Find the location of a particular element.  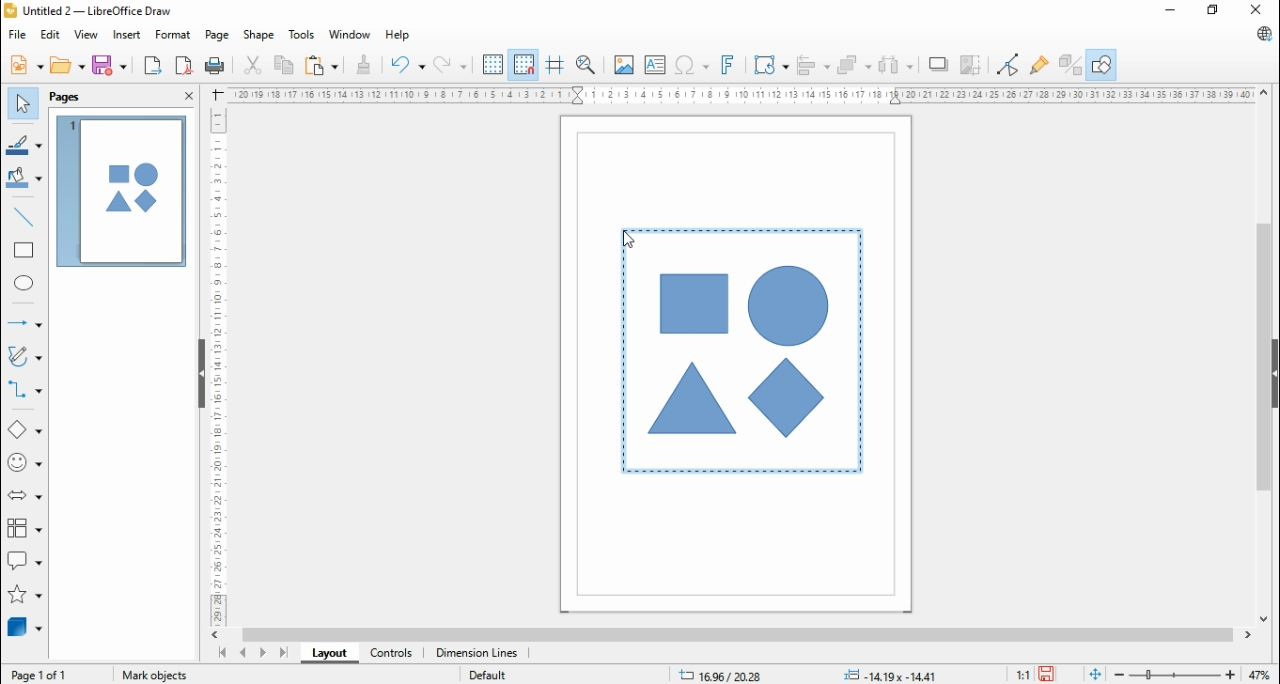

shadow is located at coordinates (936, 64).